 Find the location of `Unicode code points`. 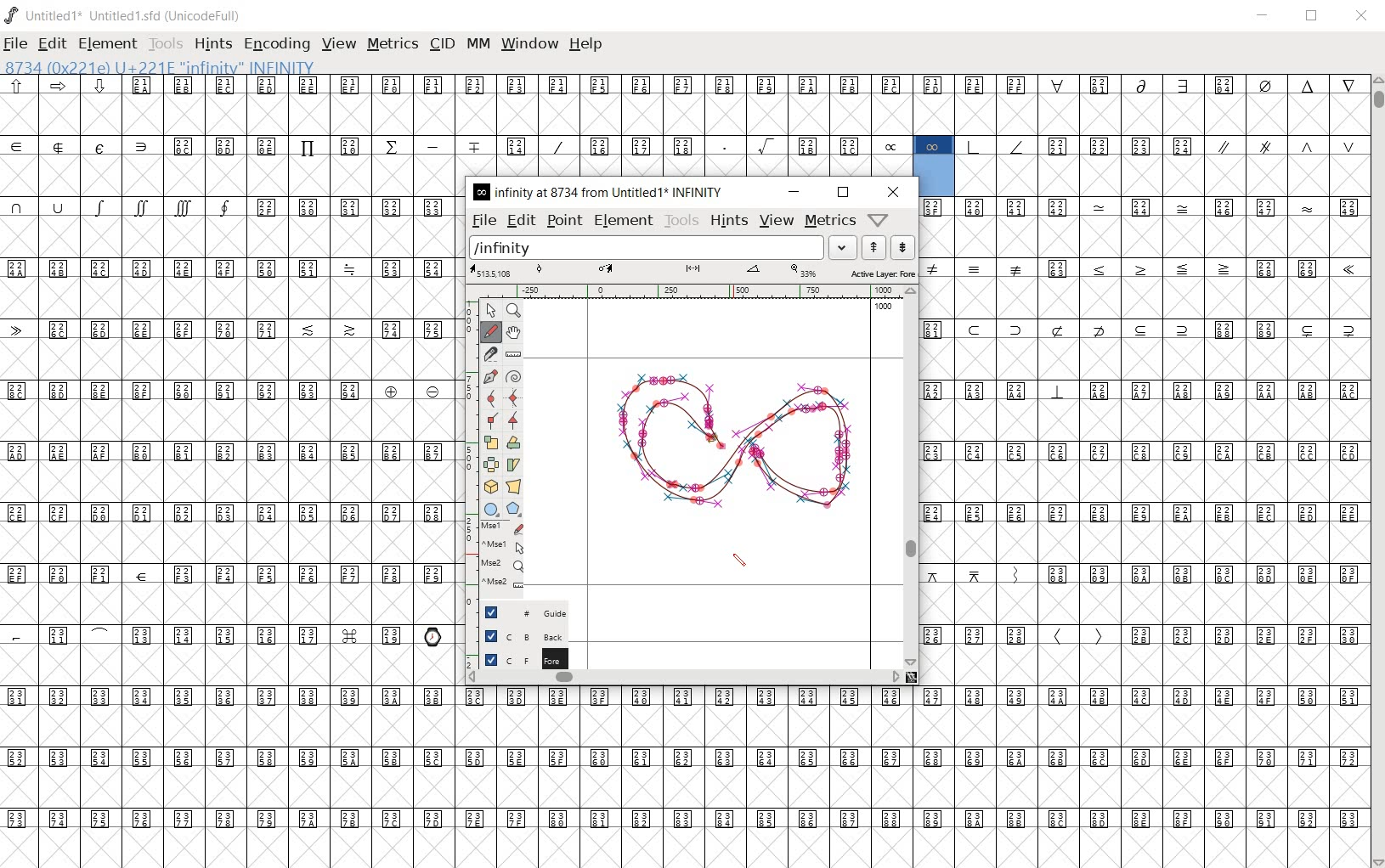

Unicode code points is located at coordinates (982, 635).